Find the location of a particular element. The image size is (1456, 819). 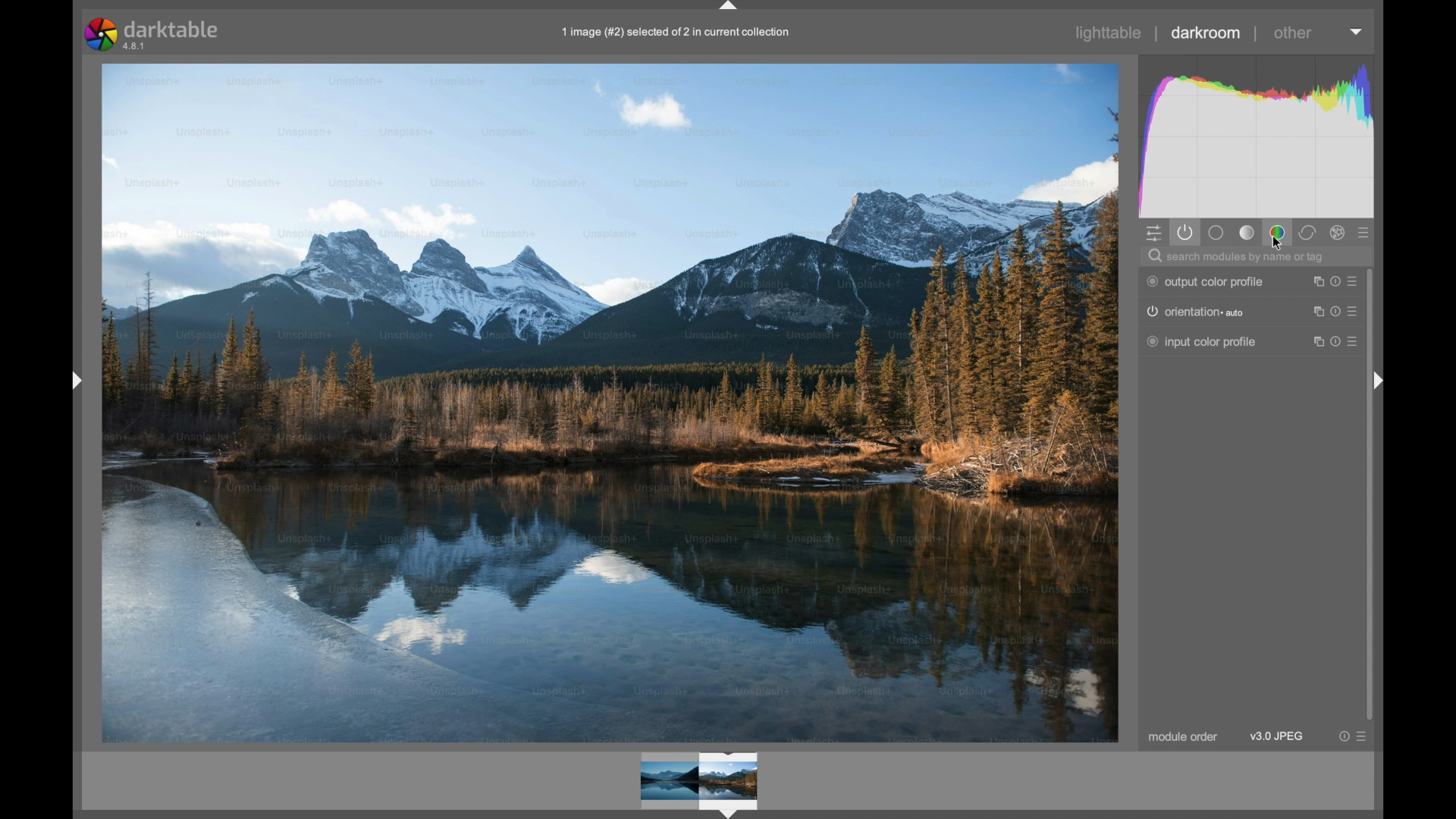

presets is located at coordinates (1354, 282).